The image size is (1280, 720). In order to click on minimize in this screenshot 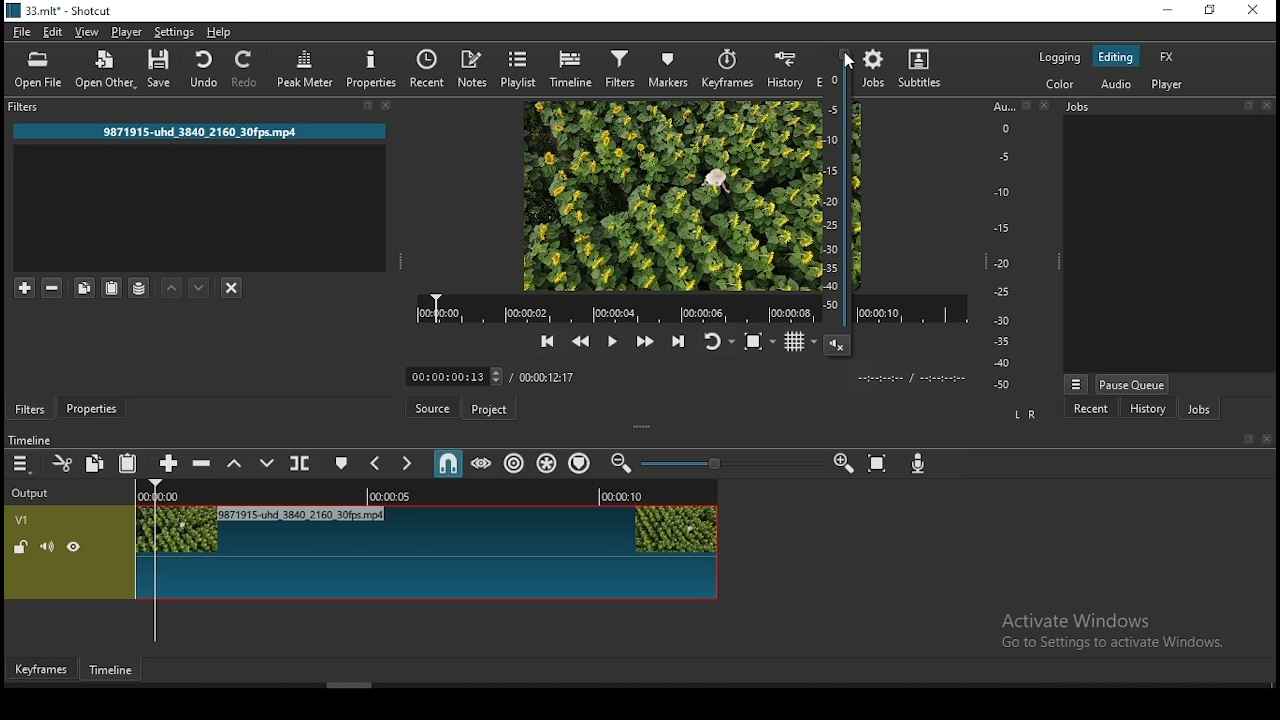, I will do `click(1168, 10)`.